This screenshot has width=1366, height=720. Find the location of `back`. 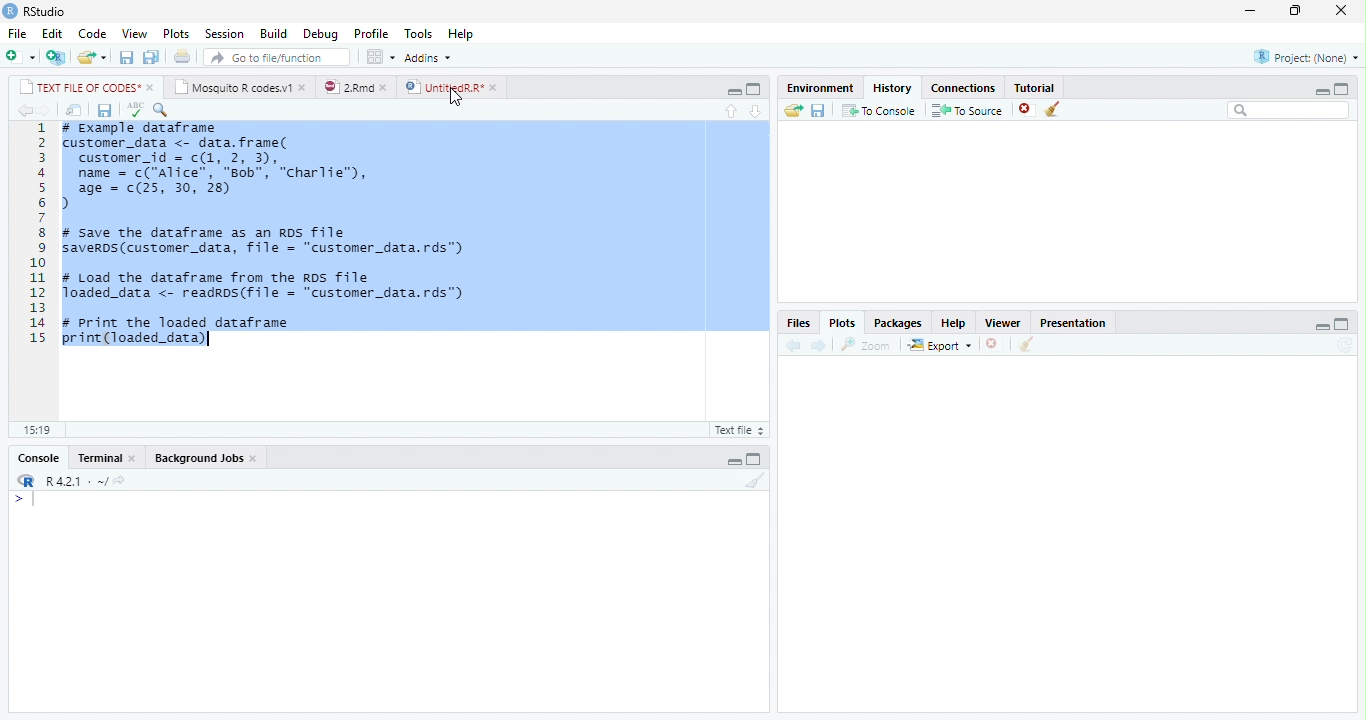

back is located at coordinates (793, 346).